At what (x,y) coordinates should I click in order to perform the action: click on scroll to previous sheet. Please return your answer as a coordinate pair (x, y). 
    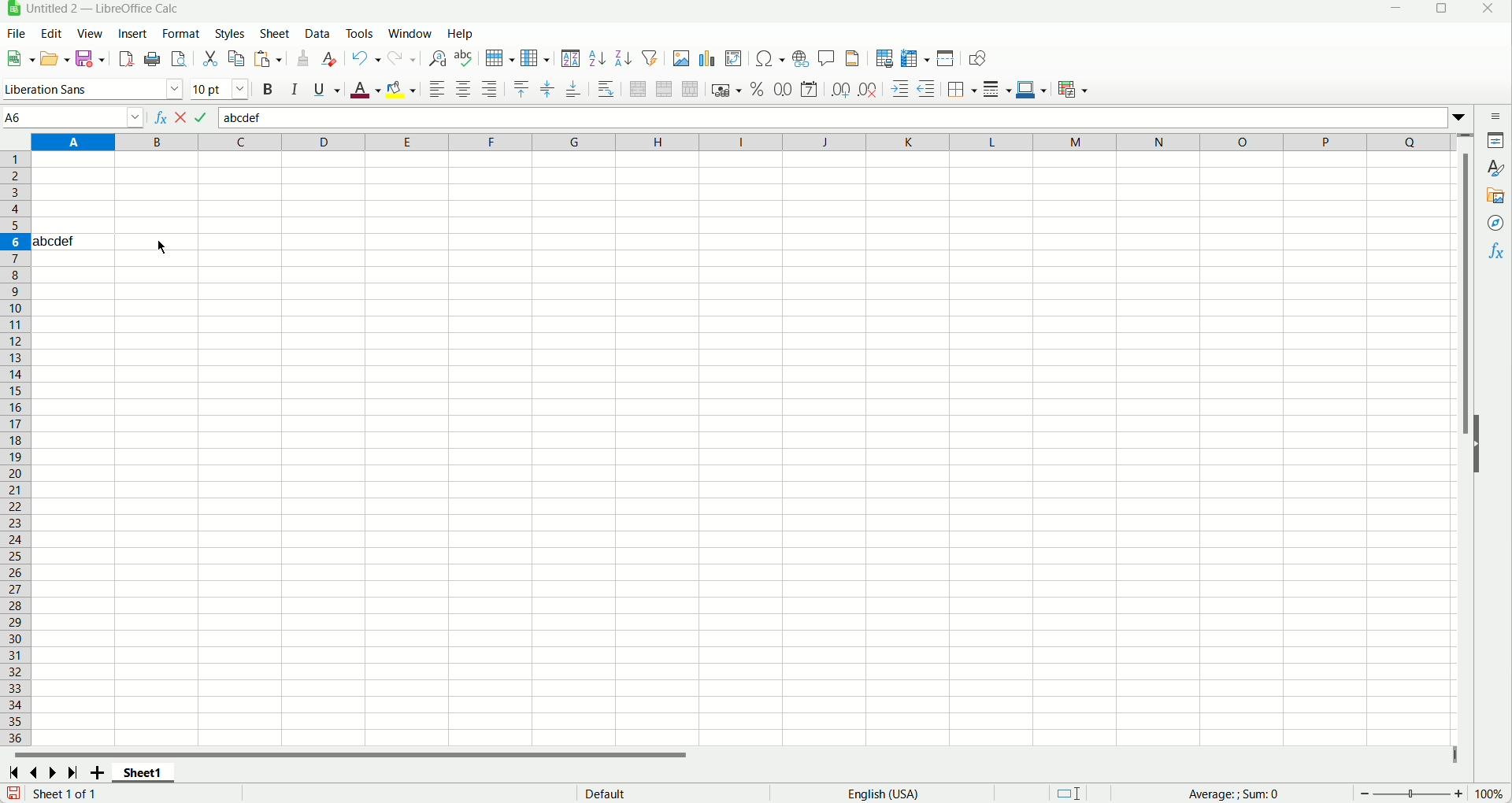
    Looking at the image, I should click on (36, 771).